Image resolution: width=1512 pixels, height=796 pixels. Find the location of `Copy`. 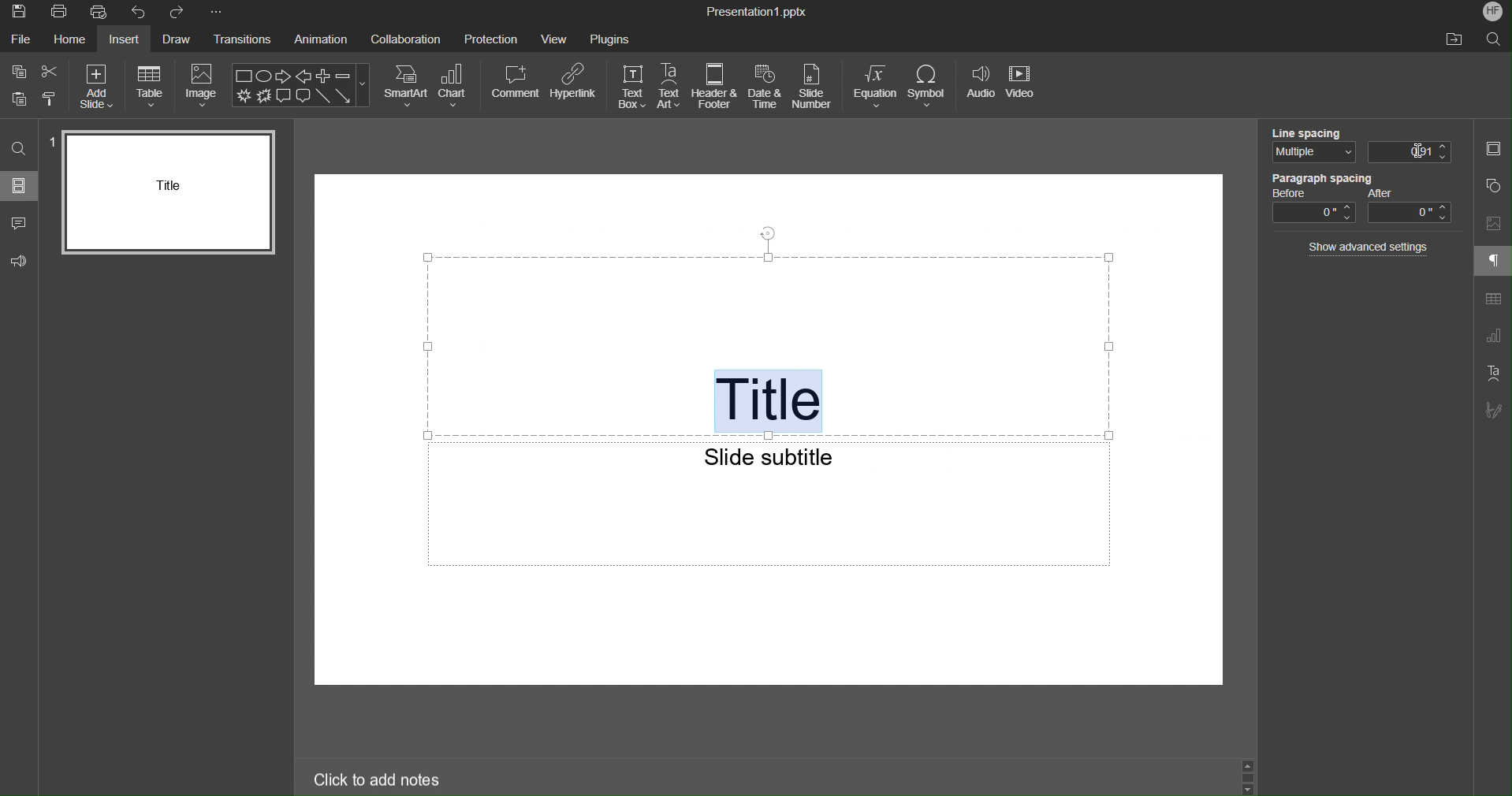

Copy is located at coordinates (16, 71).